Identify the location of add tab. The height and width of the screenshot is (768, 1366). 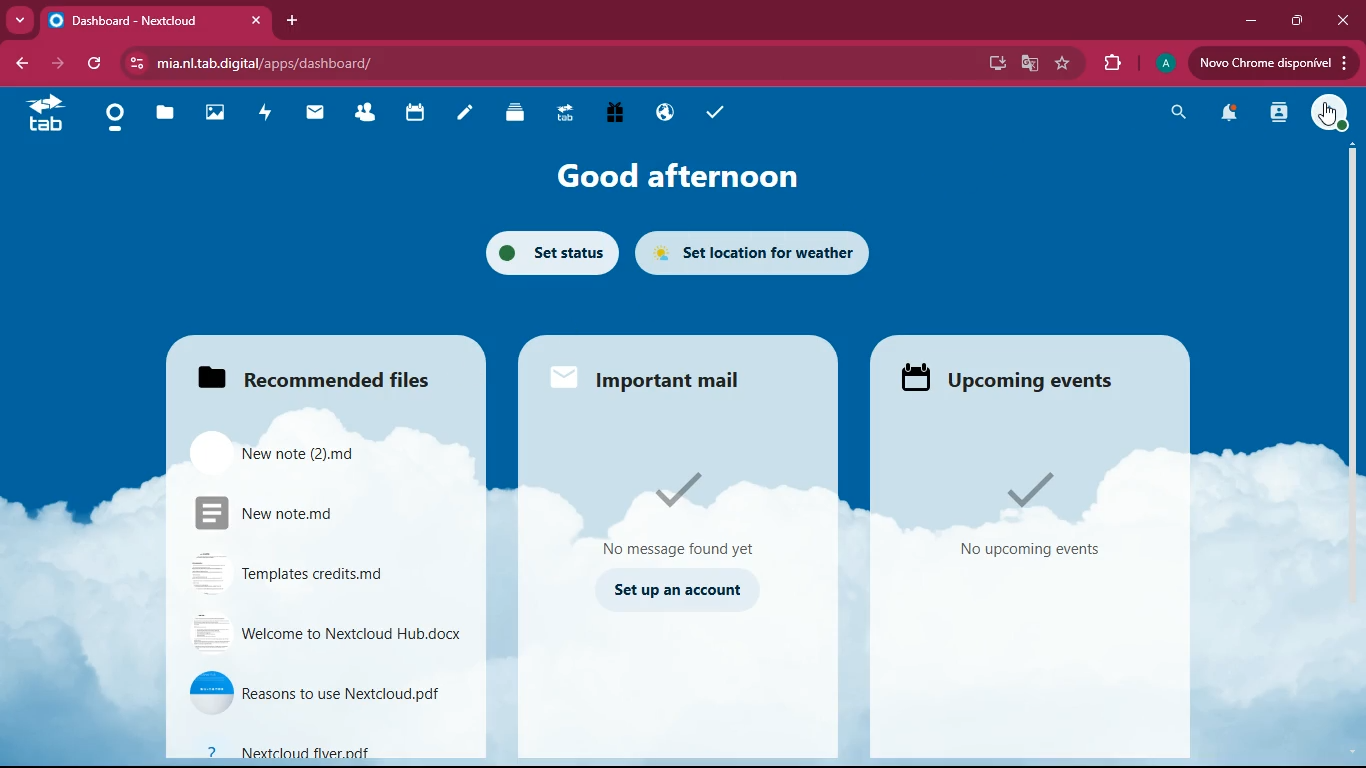
(292, 20).